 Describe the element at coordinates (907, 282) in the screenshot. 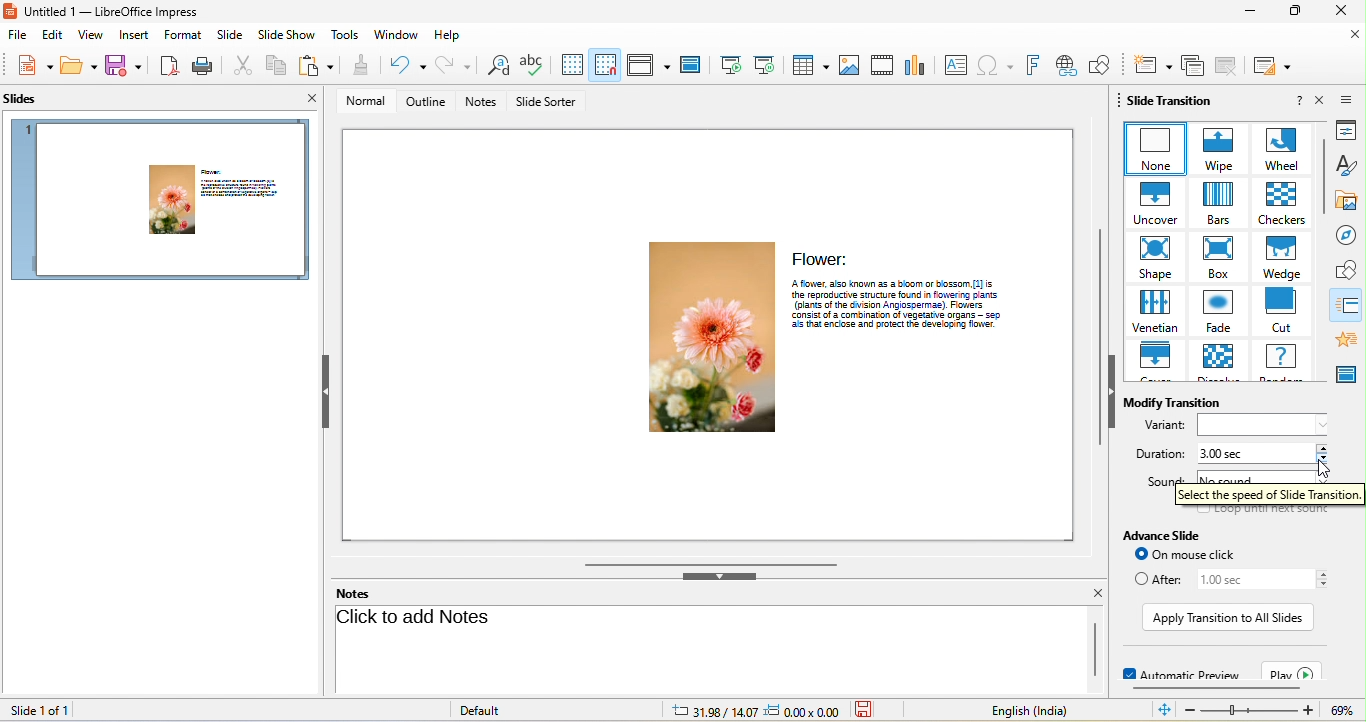

I see `"A flower, also known as a bloom or blossom, [1] is` at that location.